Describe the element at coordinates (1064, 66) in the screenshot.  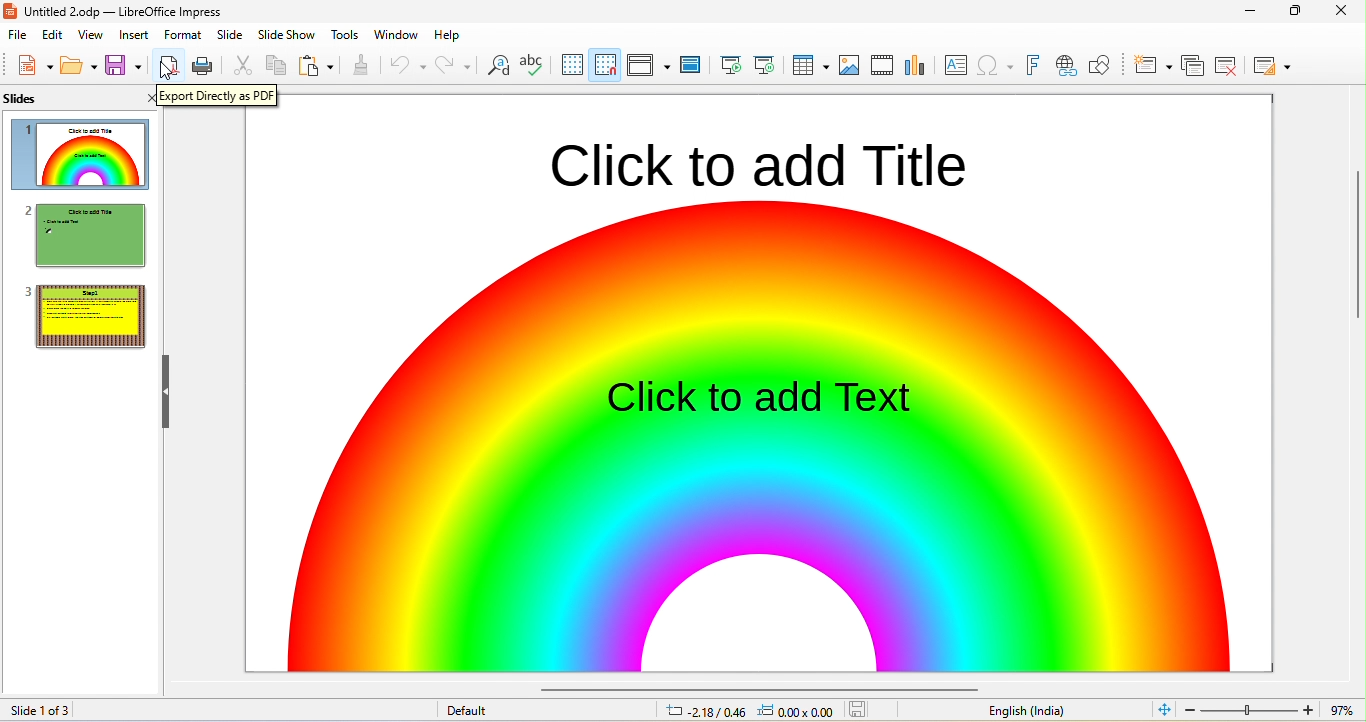
I see `hyperlink` at that location.